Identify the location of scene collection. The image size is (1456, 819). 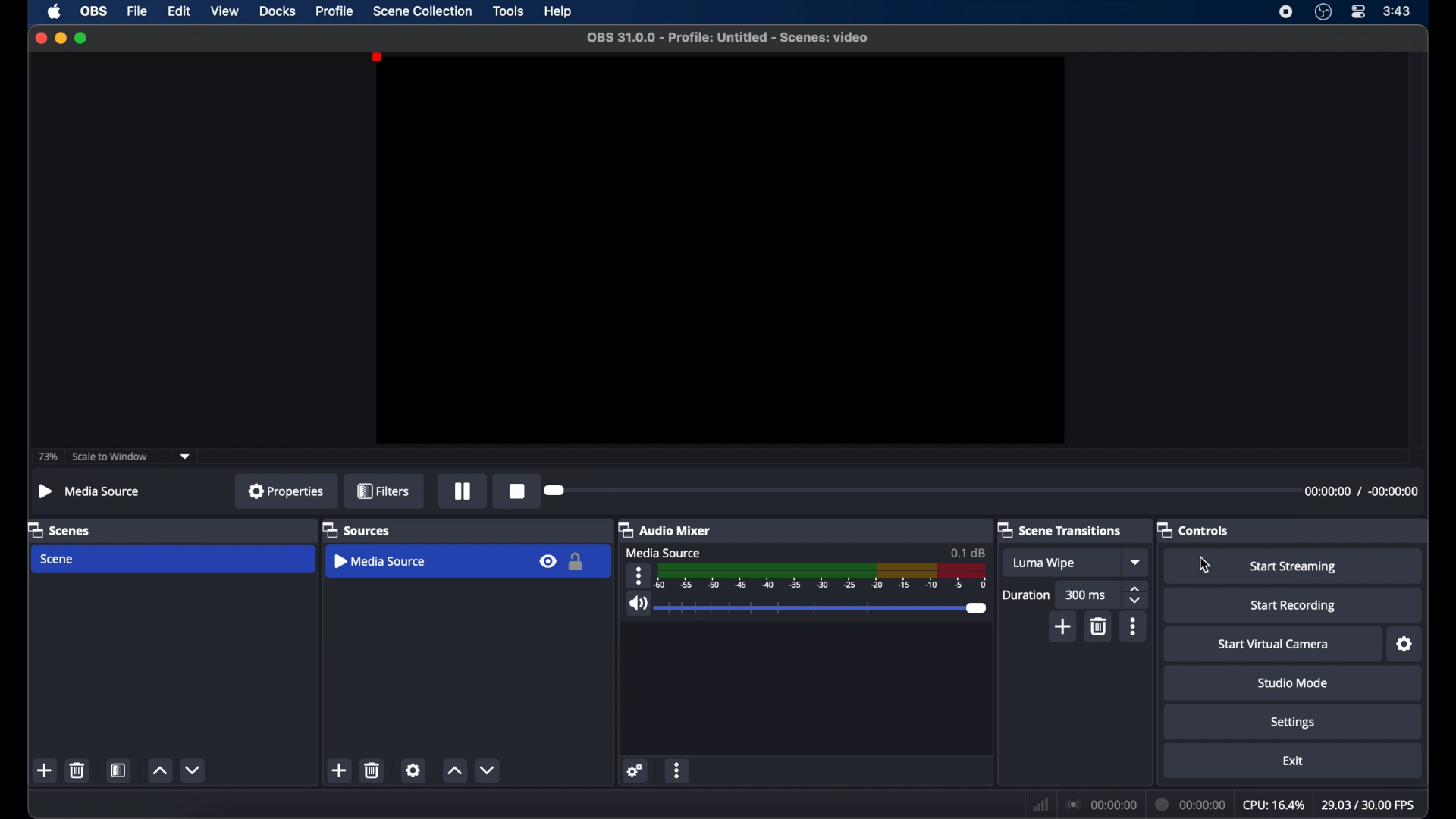
(422, 11).